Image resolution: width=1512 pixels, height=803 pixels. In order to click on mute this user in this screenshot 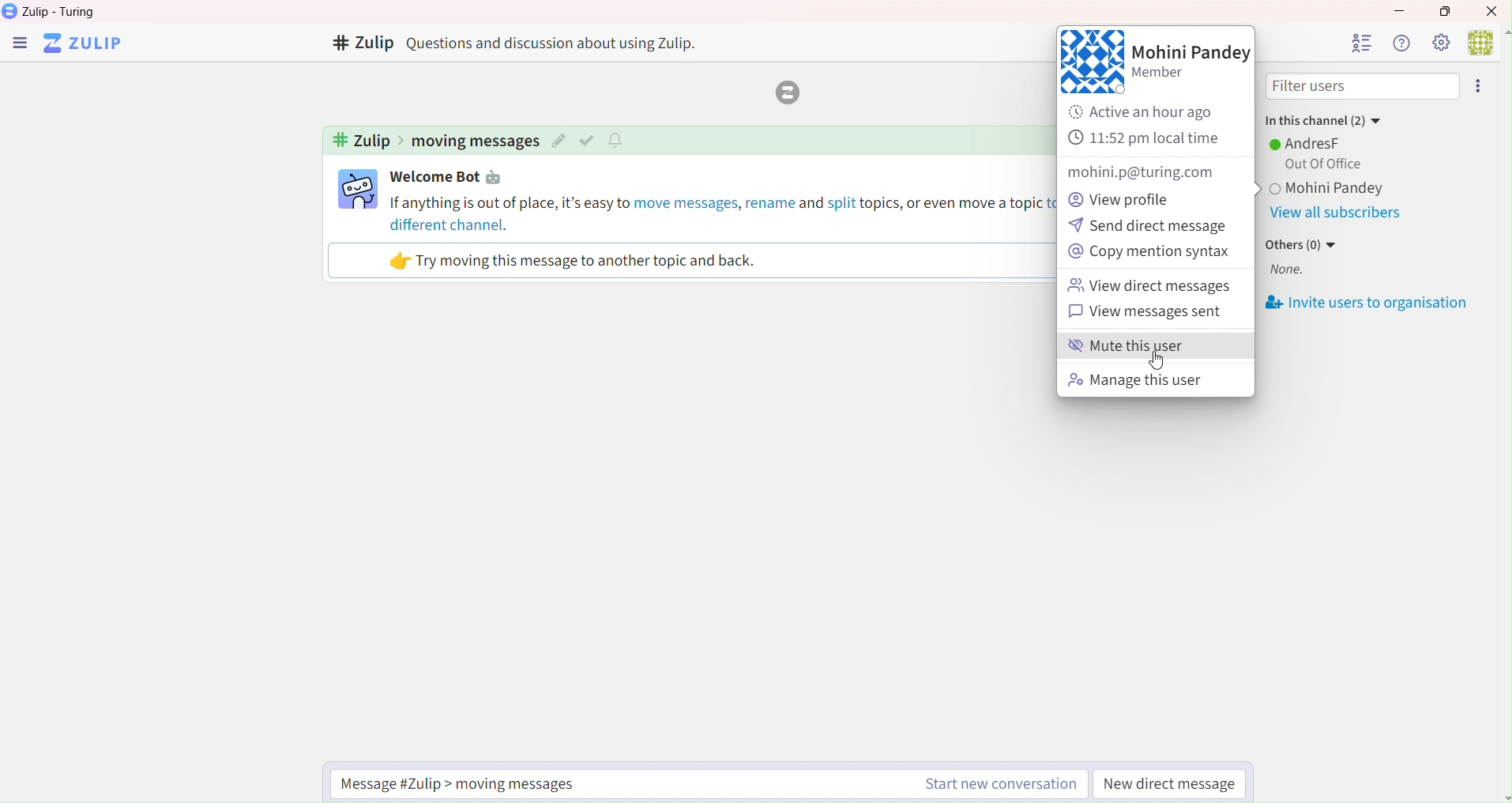, I will do `click(1149, 348)`.